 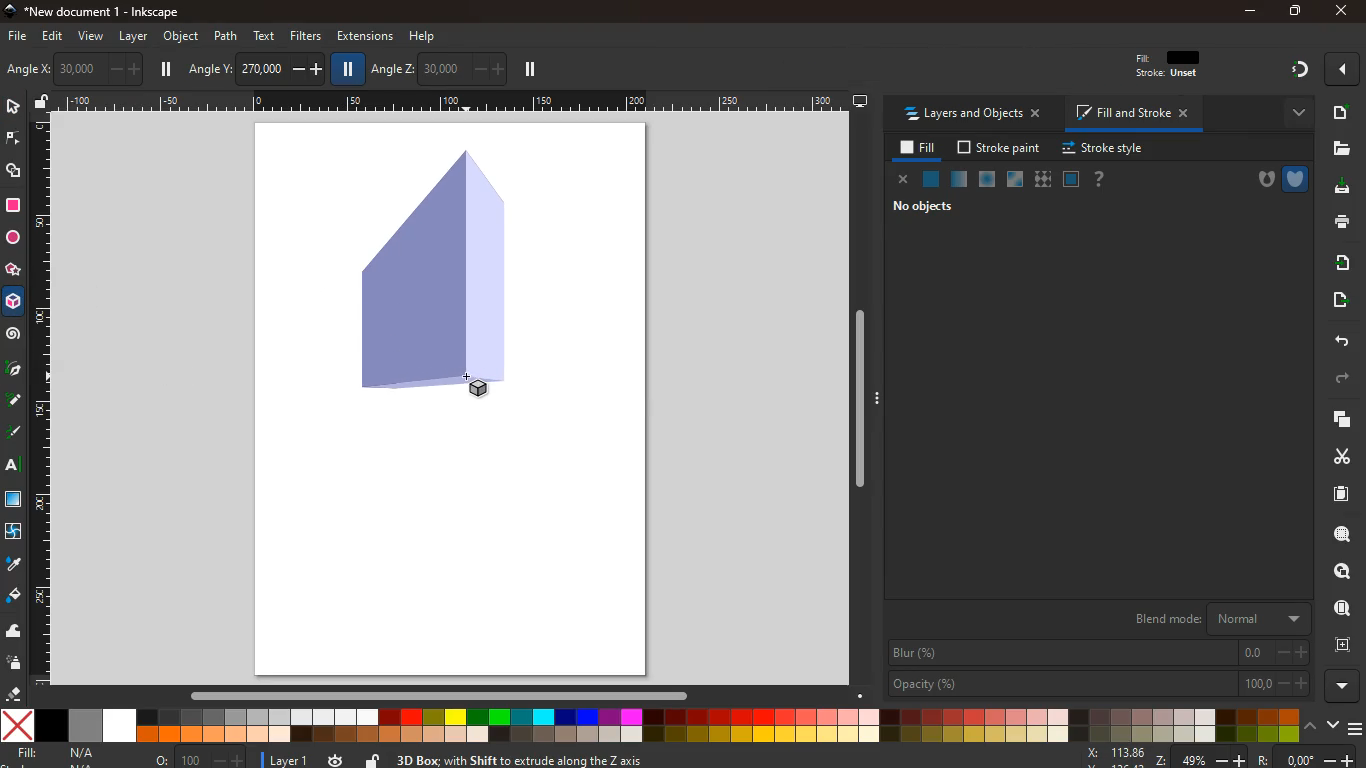 I want to click on view, so click(x=92, y=37).